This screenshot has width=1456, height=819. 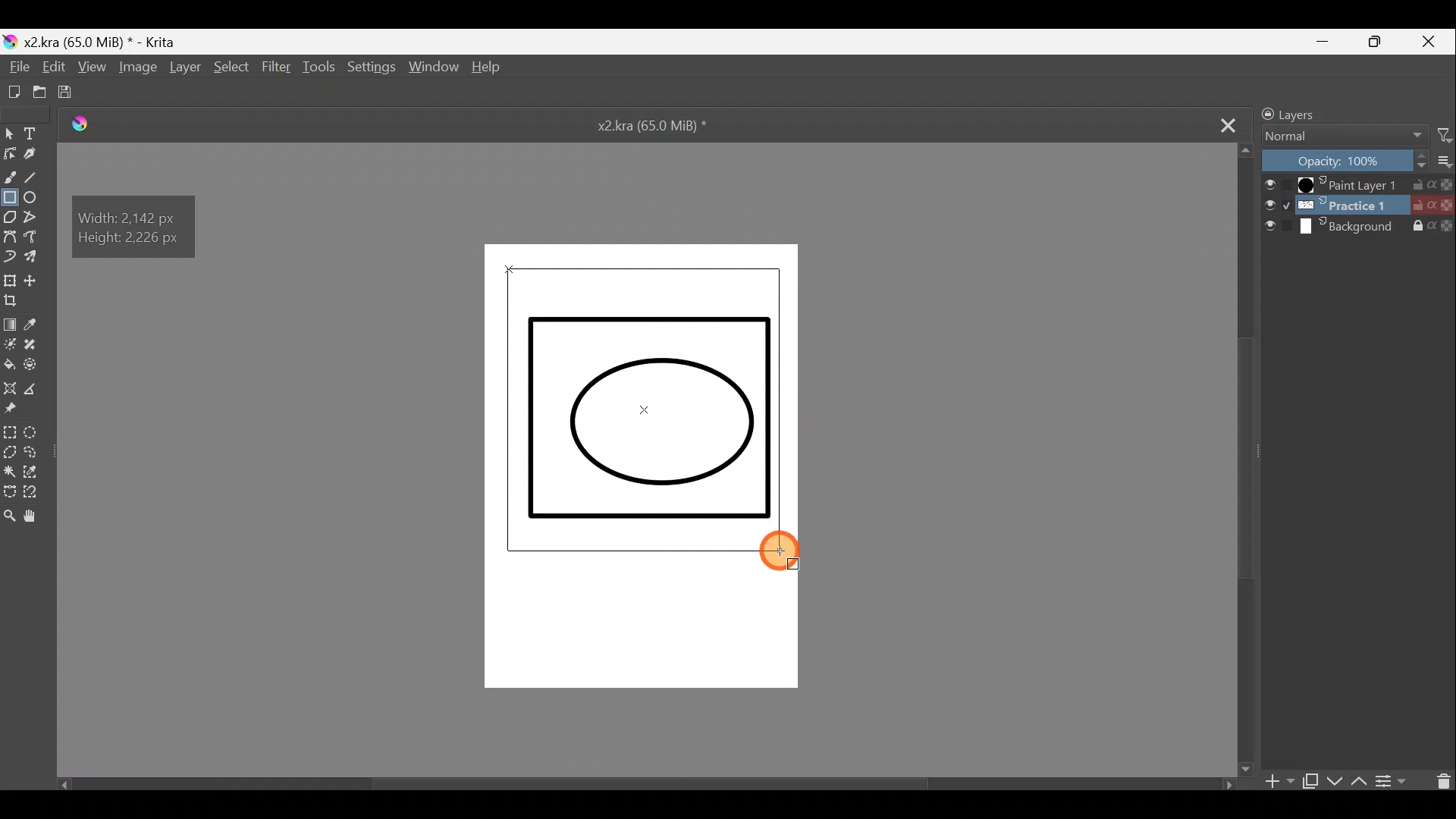 I want to click on Select, so click(x=234, y=68).